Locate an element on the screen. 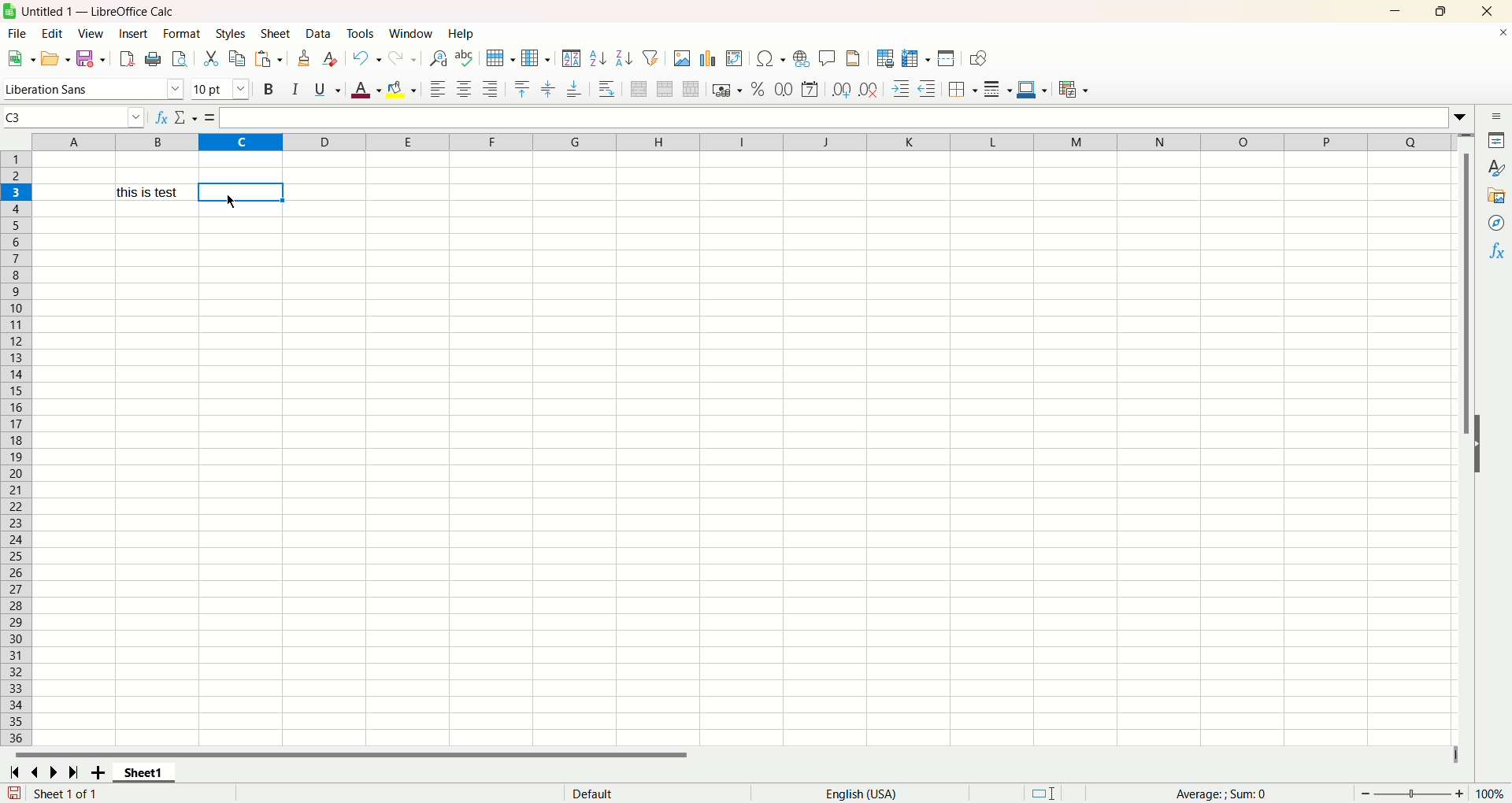  copy is located at coordinates (235, 60).